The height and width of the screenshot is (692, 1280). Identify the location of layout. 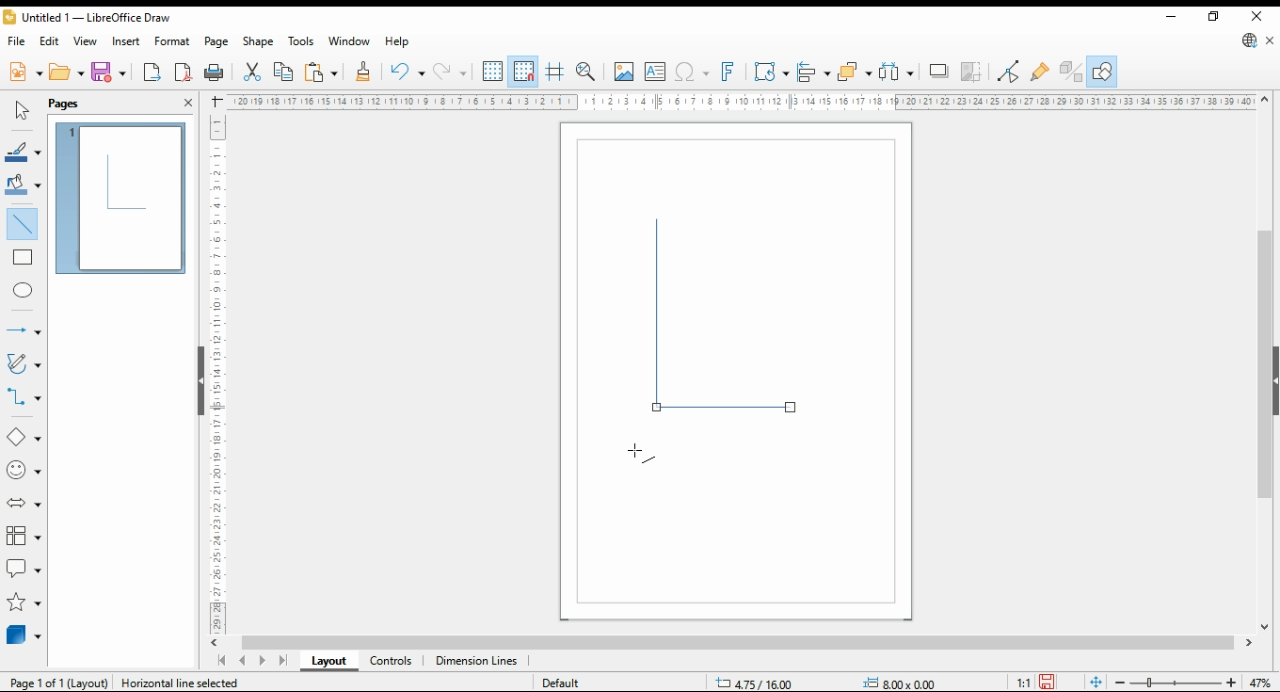
(328, 662).